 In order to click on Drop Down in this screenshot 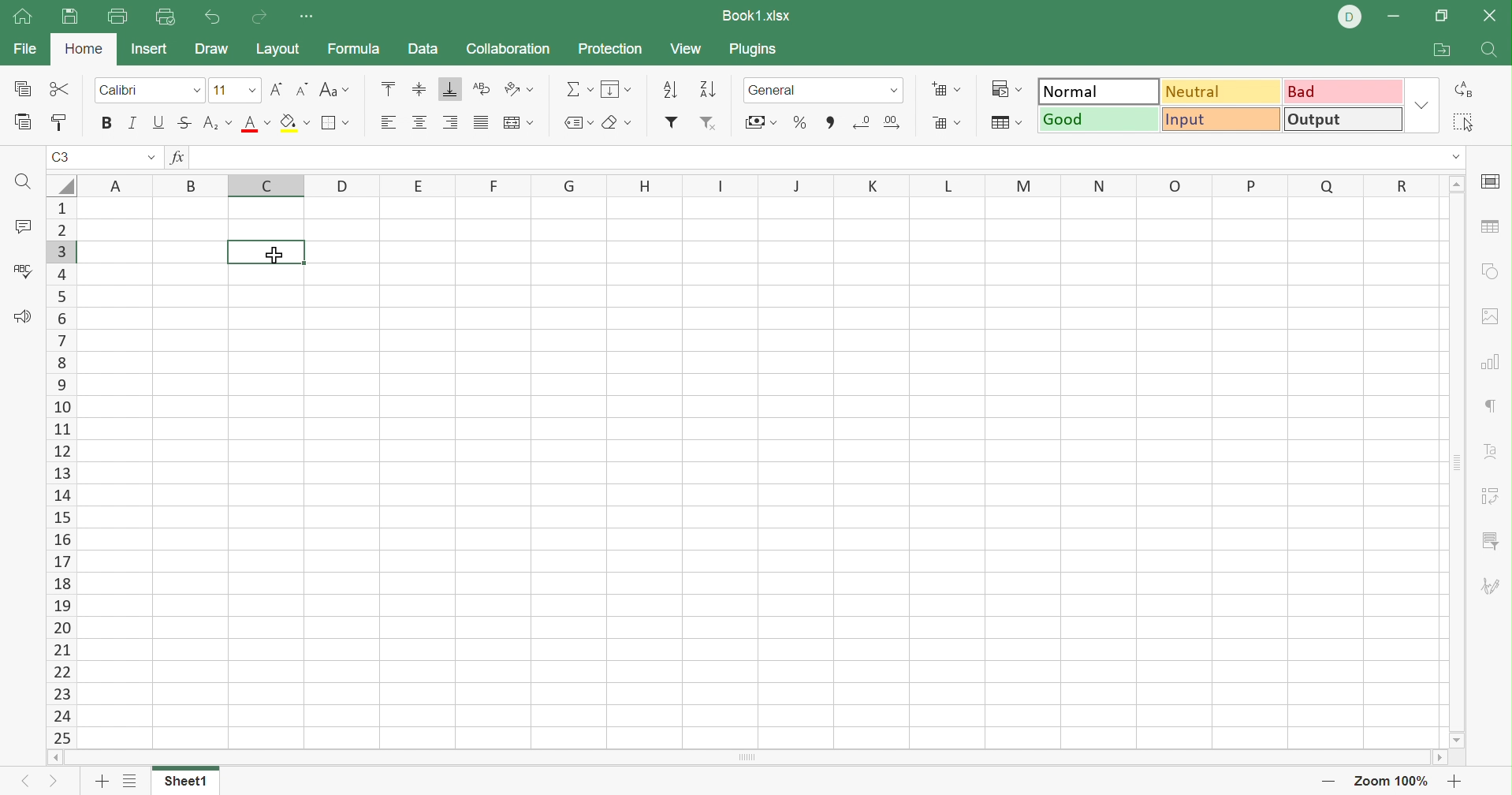, I will do `click(1419, 104)`.